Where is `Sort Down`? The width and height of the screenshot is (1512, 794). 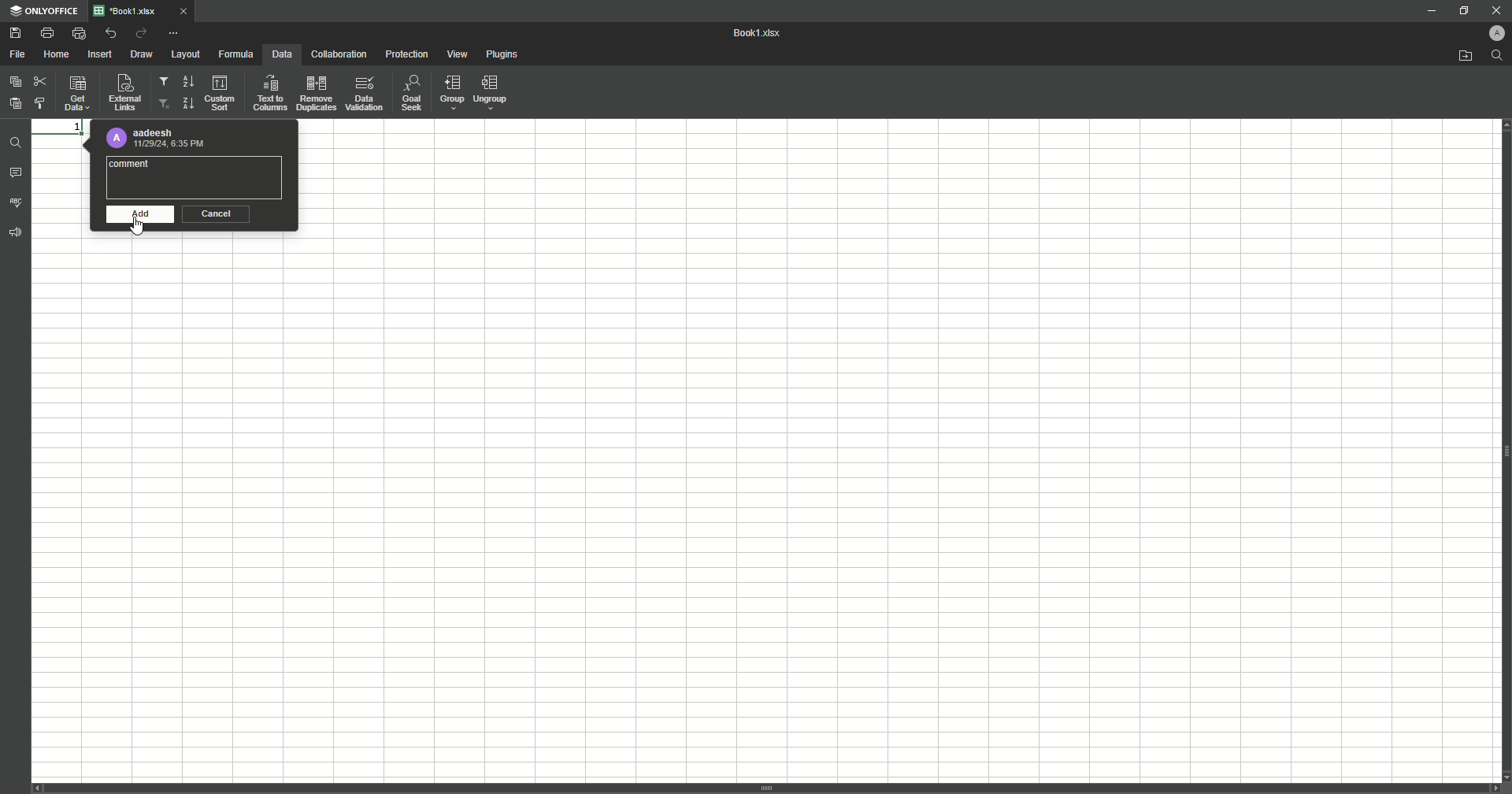
Sort Down is located at coordinates (188, 81).